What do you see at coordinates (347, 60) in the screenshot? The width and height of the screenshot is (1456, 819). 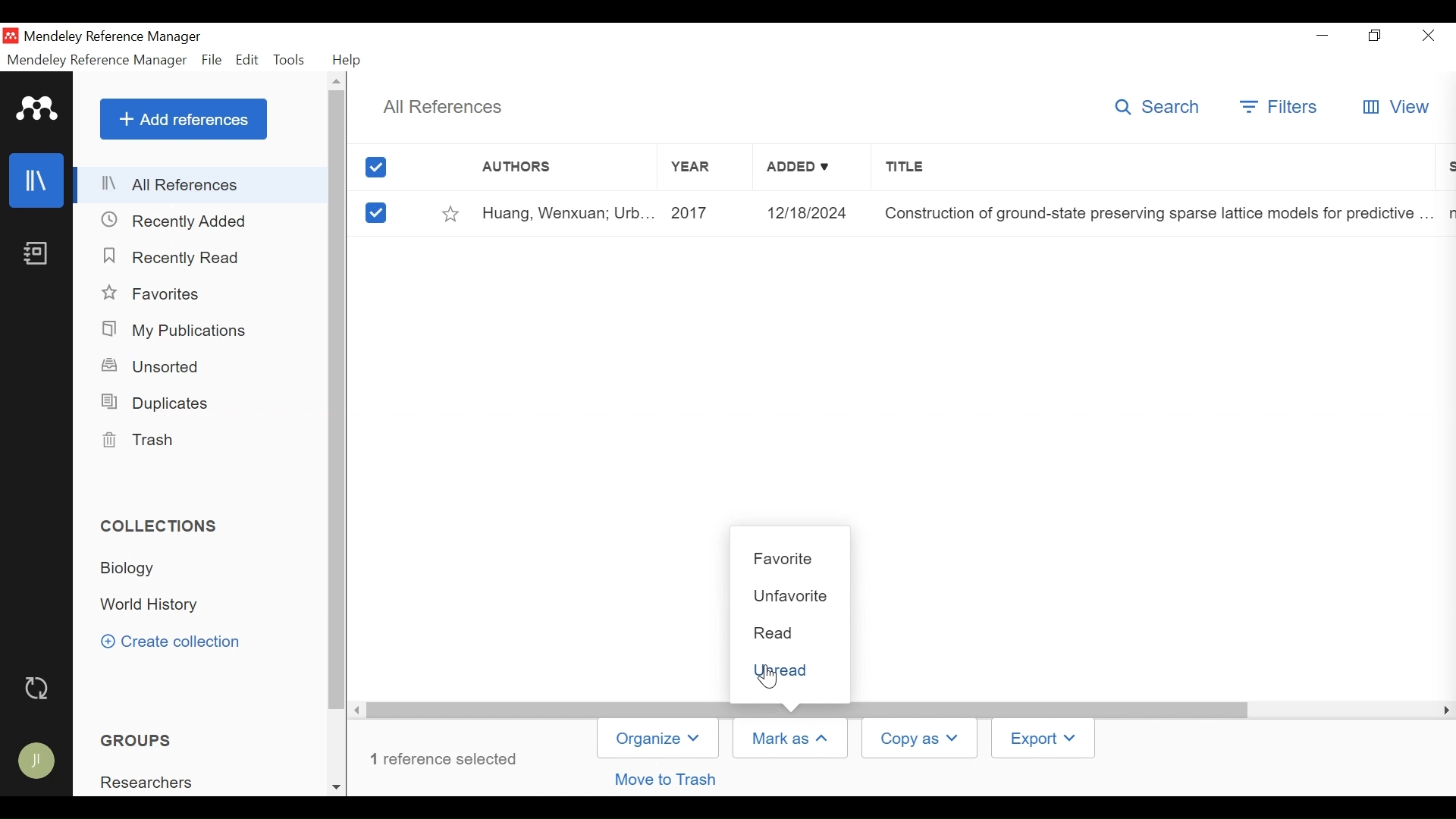 I see `Help` at bounding box center [347, 60].